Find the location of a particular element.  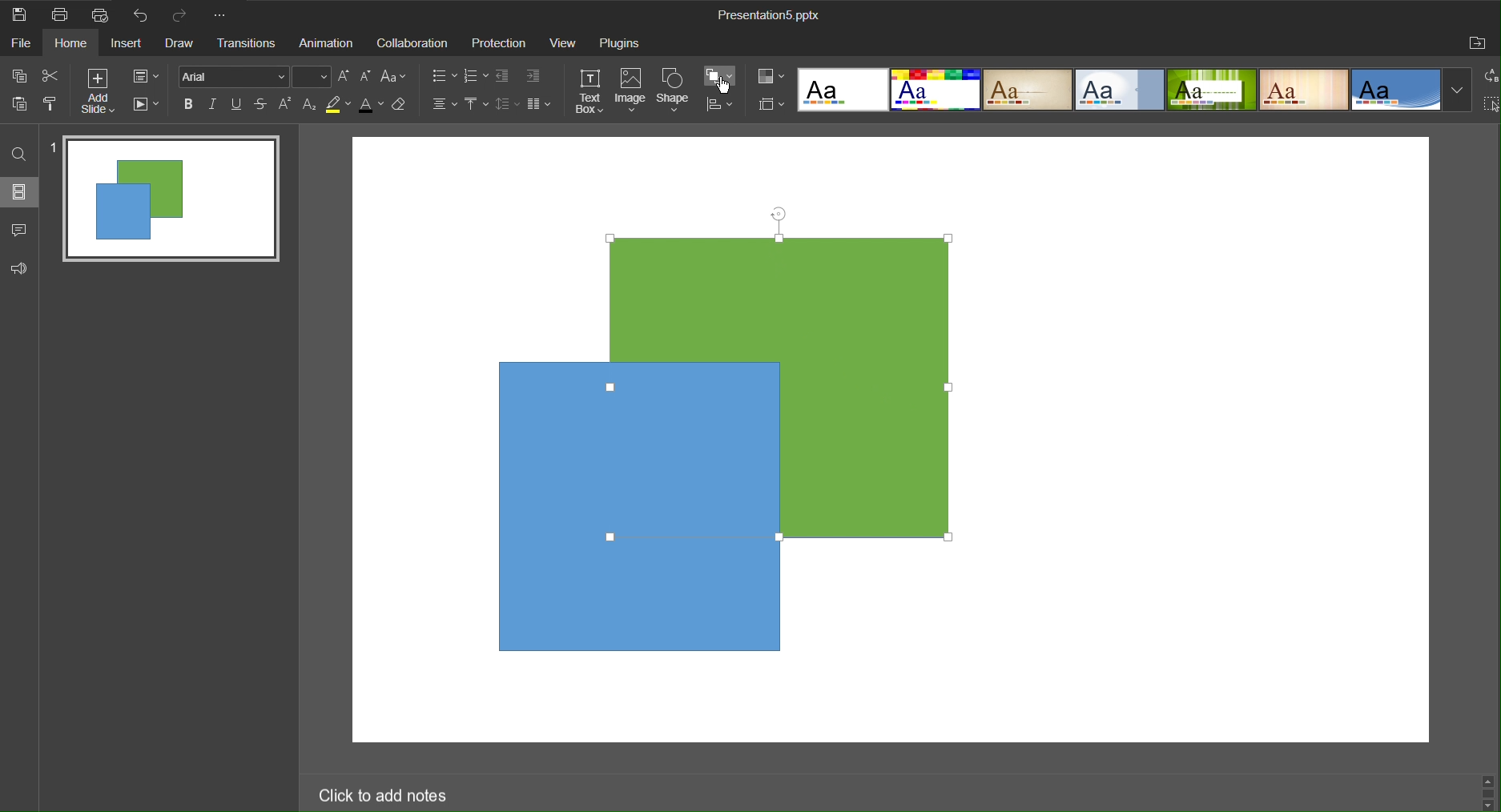

Column is located at coordinates (542, 106).